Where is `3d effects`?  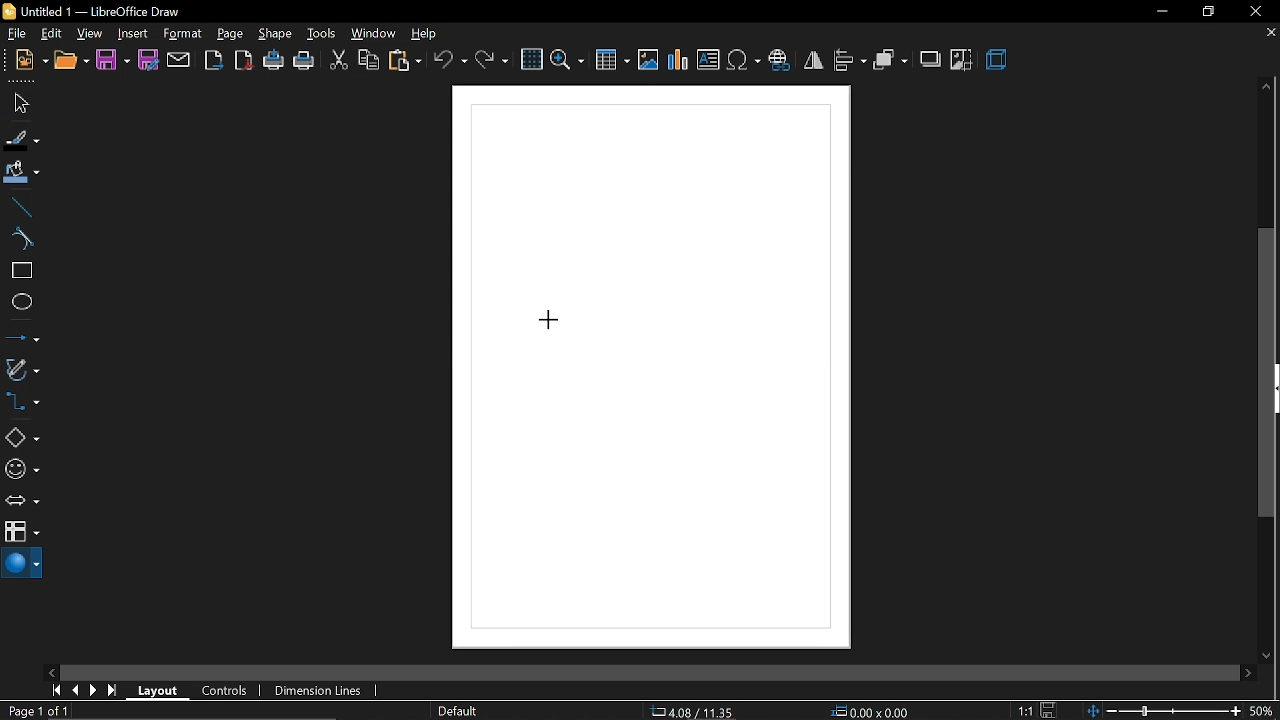 3d effects is located at coordinates (997, 60).